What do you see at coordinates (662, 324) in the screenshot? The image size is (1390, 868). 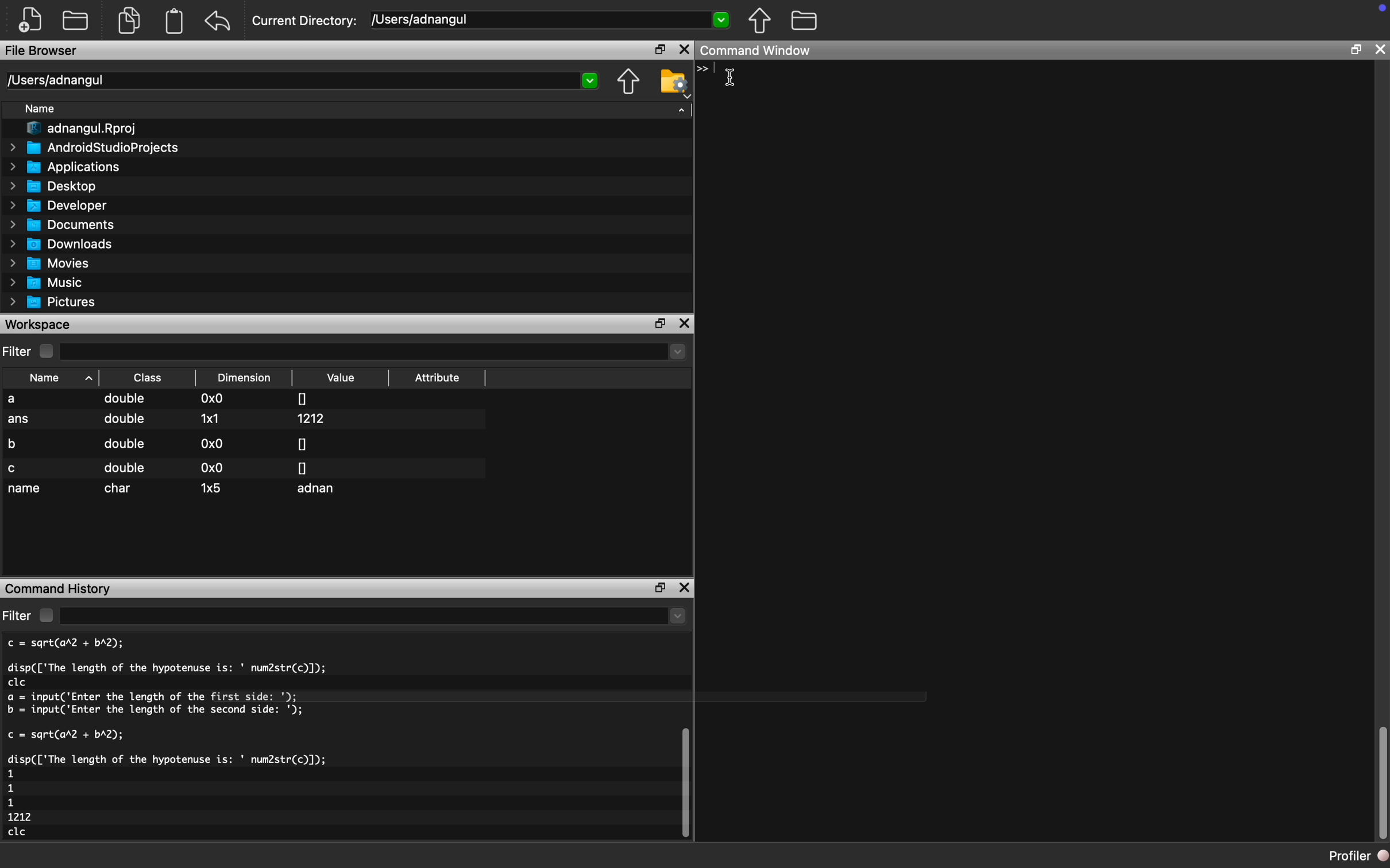 I see `restore down` at bounding box center [662, 324].